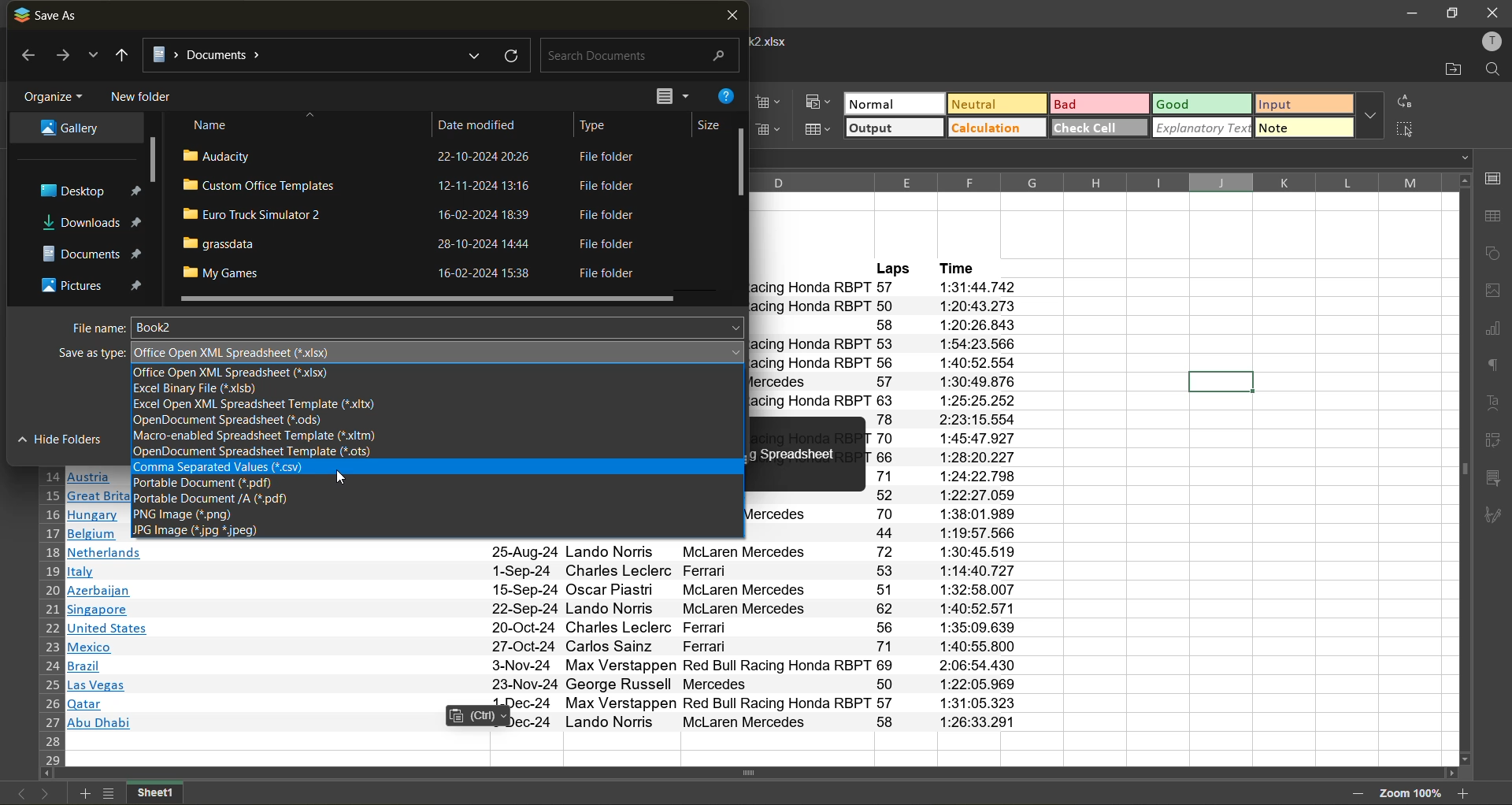 The height and width of the screenshot is (805, 1512). Describe the element at coordinates (1357, 796) in the screenshot. I see `zoom out` at that location.